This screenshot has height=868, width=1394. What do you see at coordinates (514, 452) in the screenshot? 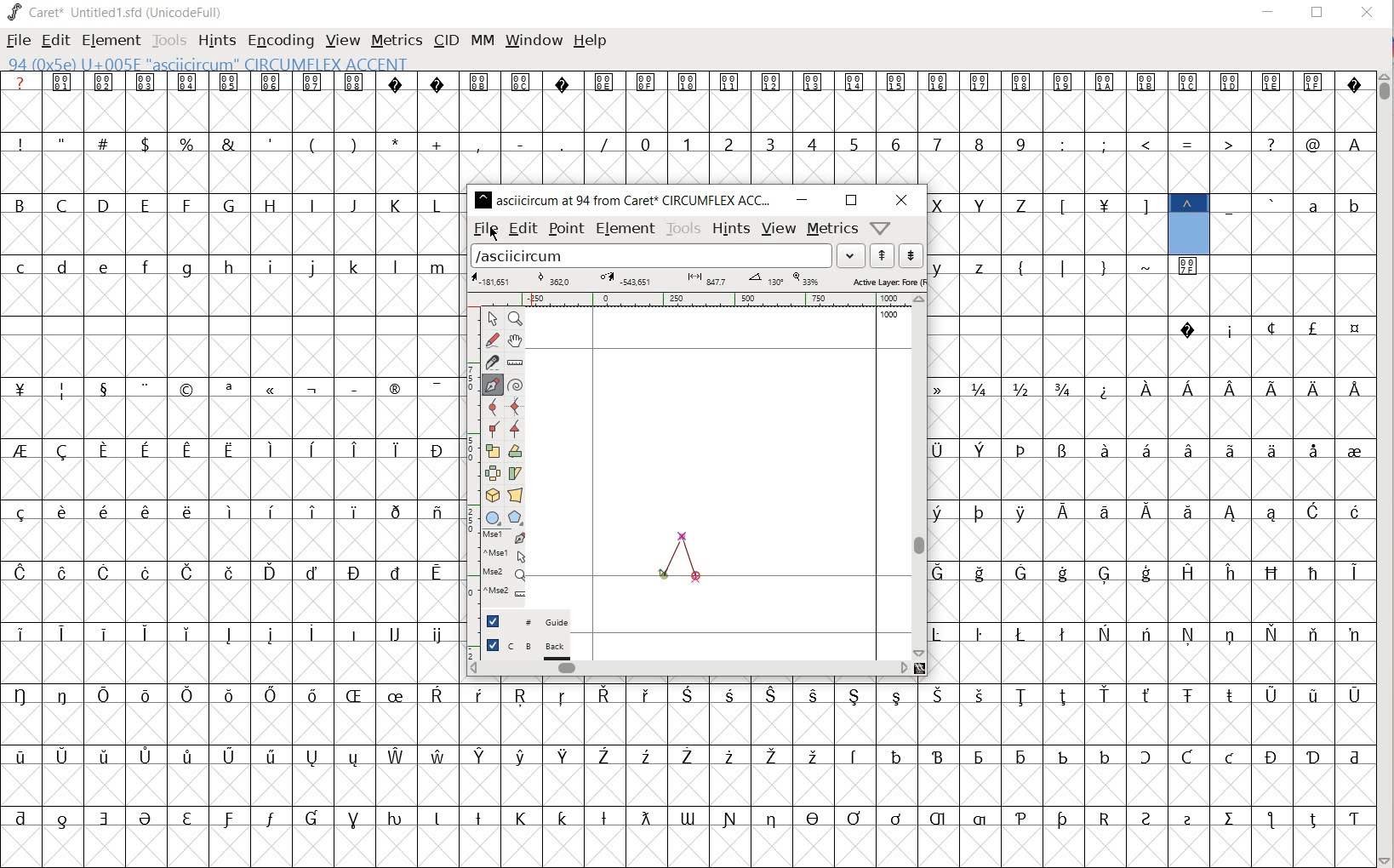
I see `Rotate the selection` at bounding box center [514, 452].